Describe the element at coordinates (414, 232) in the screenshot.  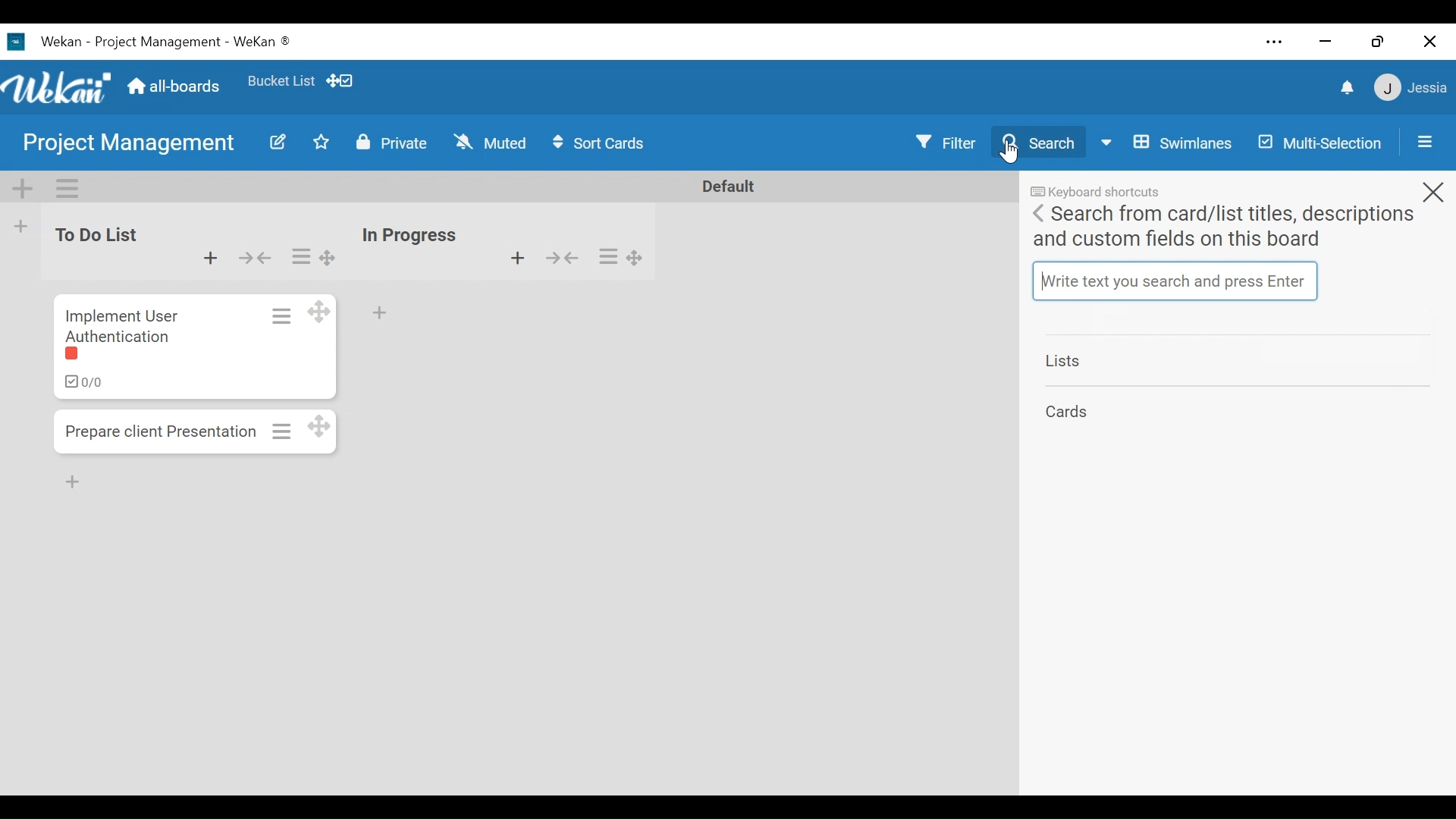
I see `in progress` at that location.